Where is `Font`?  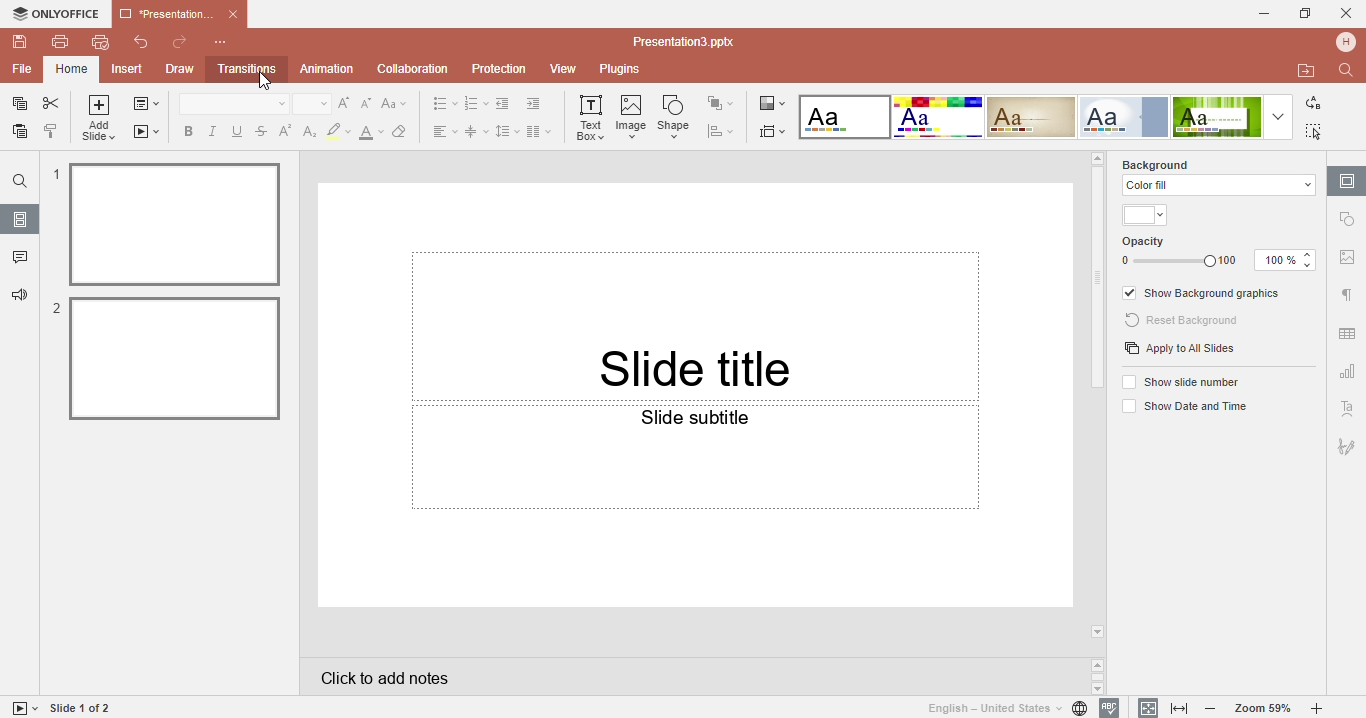
Font is located at coordinates (232, 104).